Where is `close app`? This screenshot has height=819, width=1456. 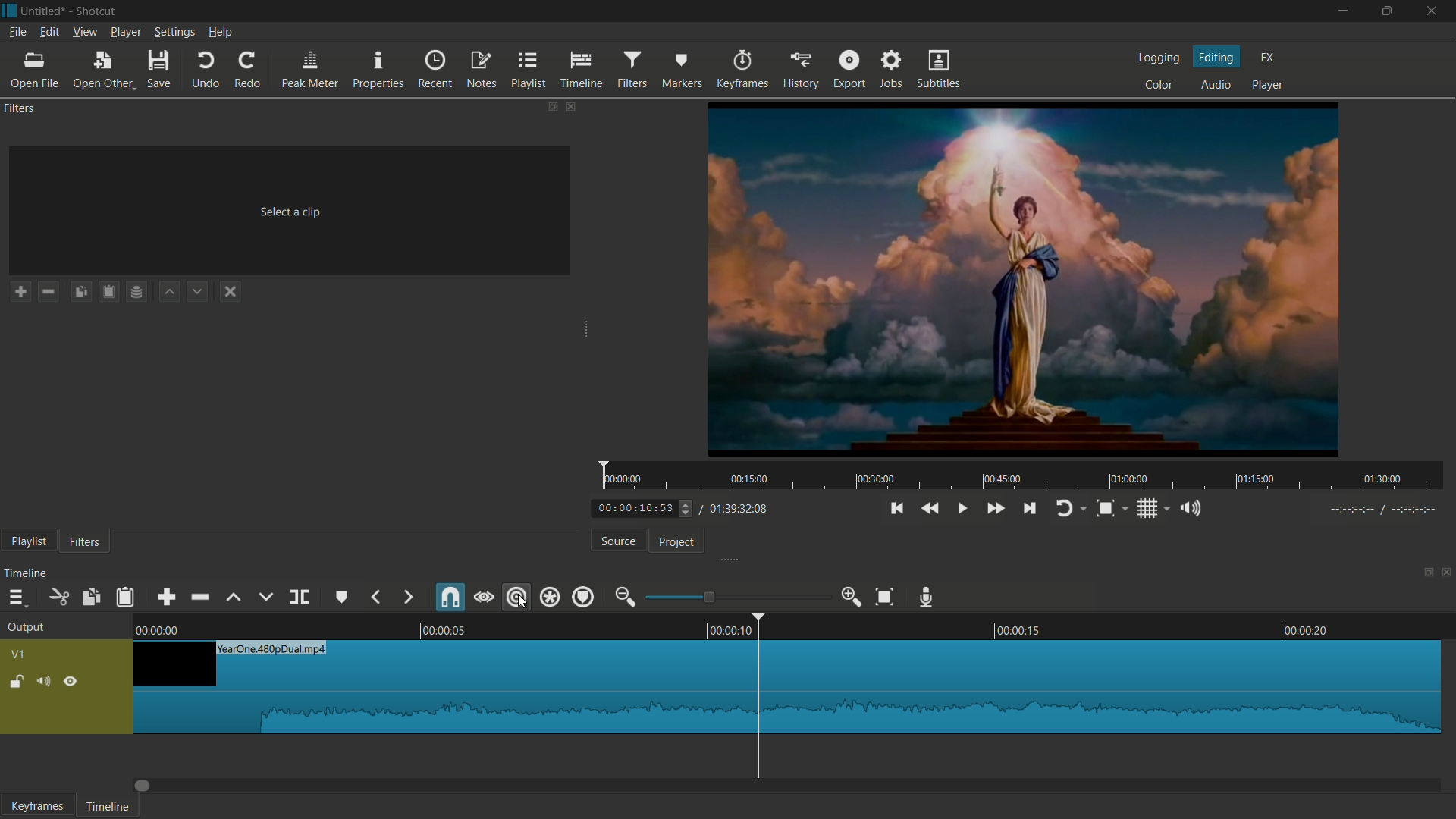 close app is located at coordinates (1432, 11).